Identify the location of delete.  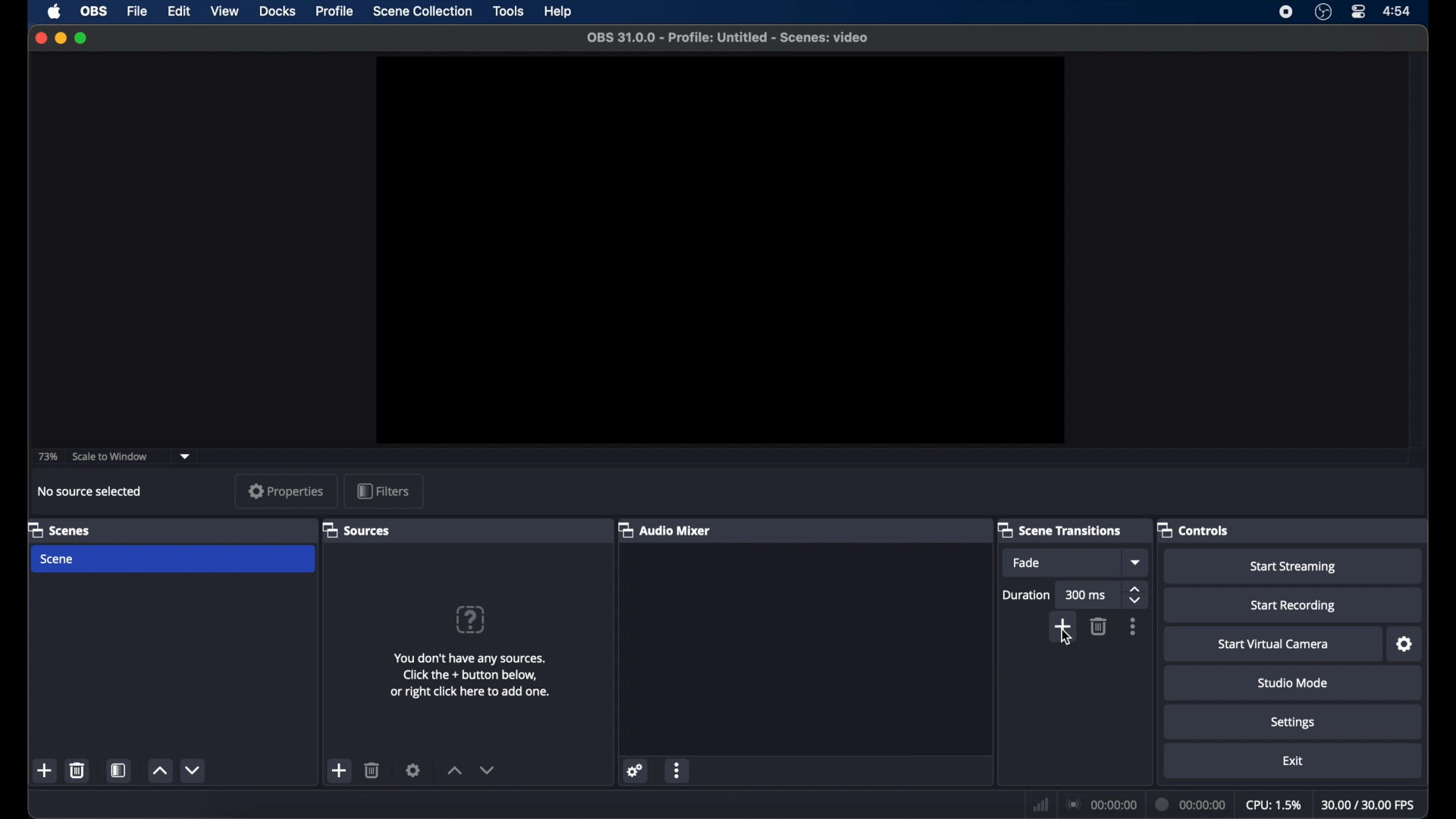
(372, 770).